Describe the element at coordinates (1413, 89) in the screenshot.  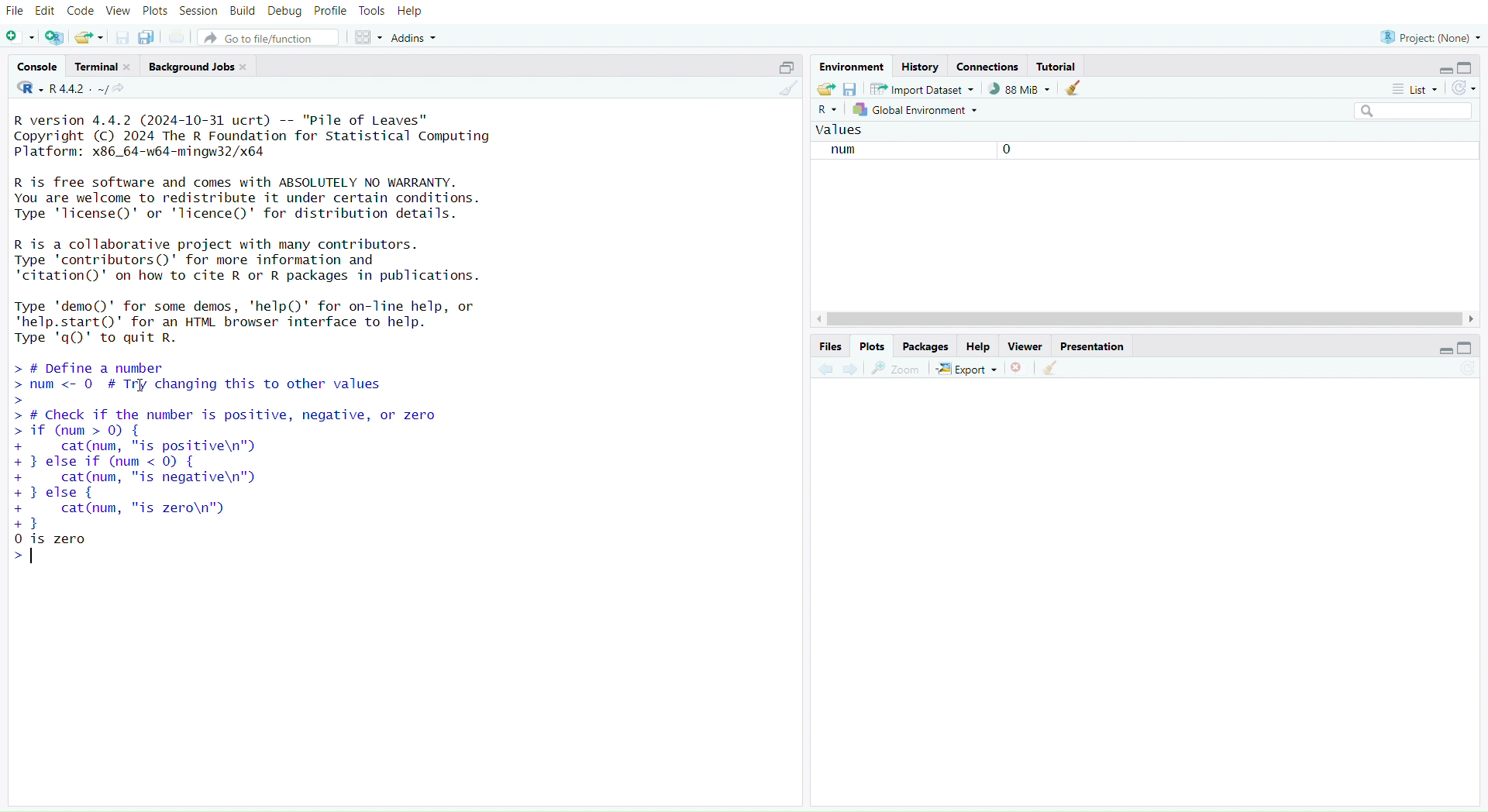
I see `list` at that location.